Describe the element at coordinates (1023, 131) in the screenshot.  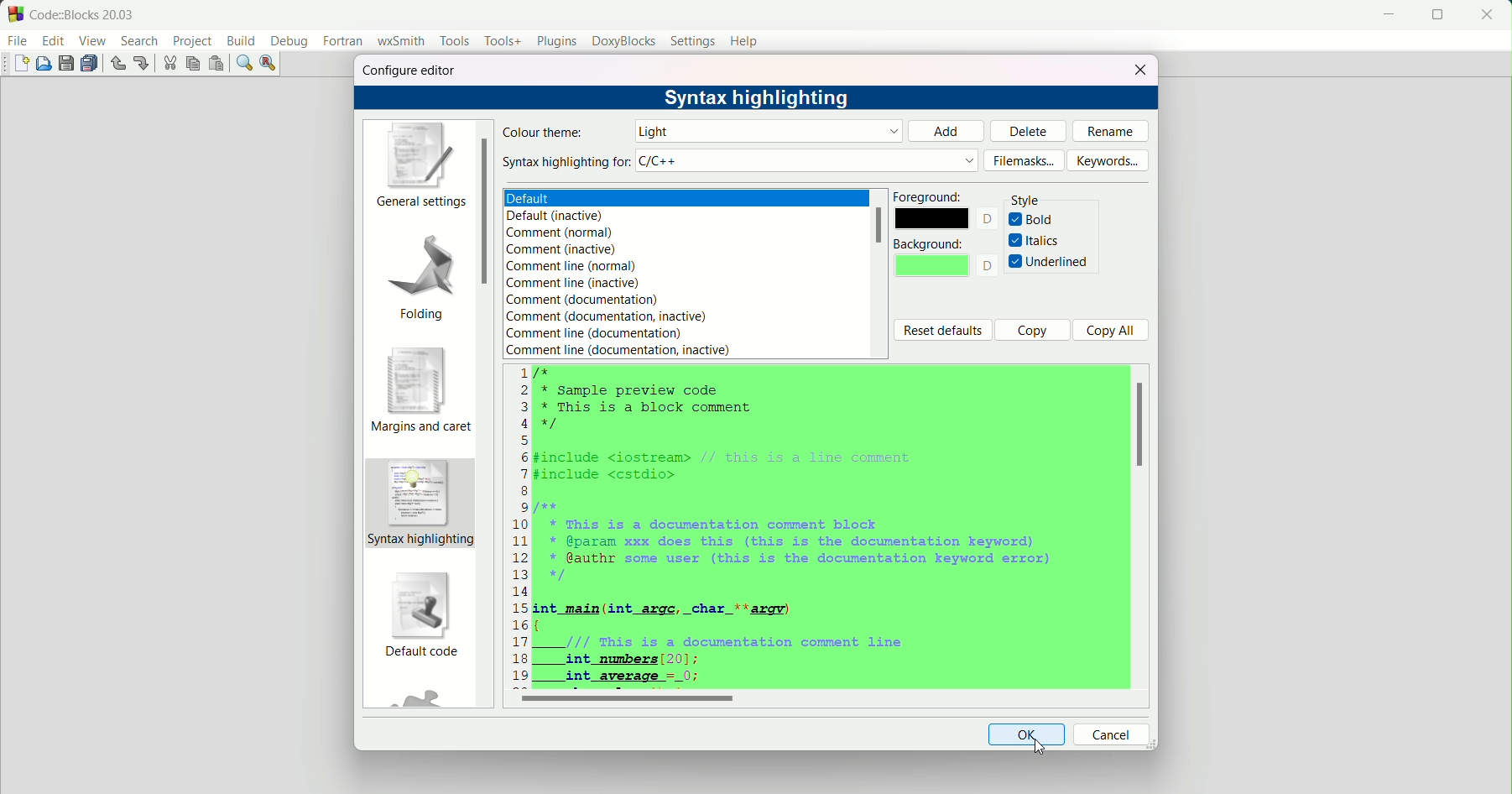
I see `delete` at that location.